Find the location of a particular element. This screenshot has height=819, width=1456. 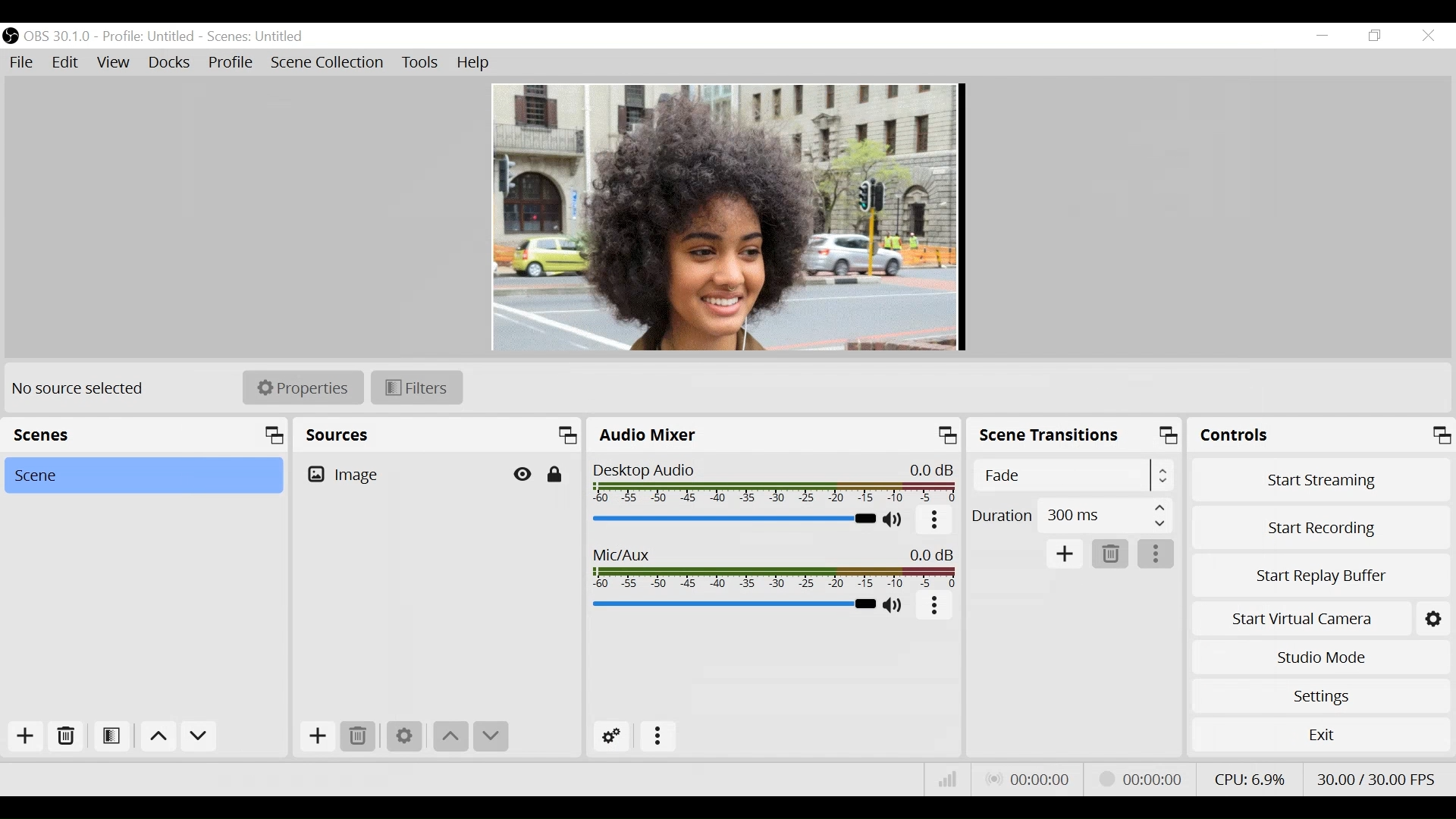

Hide/Display is located at coordinates (525, 474).